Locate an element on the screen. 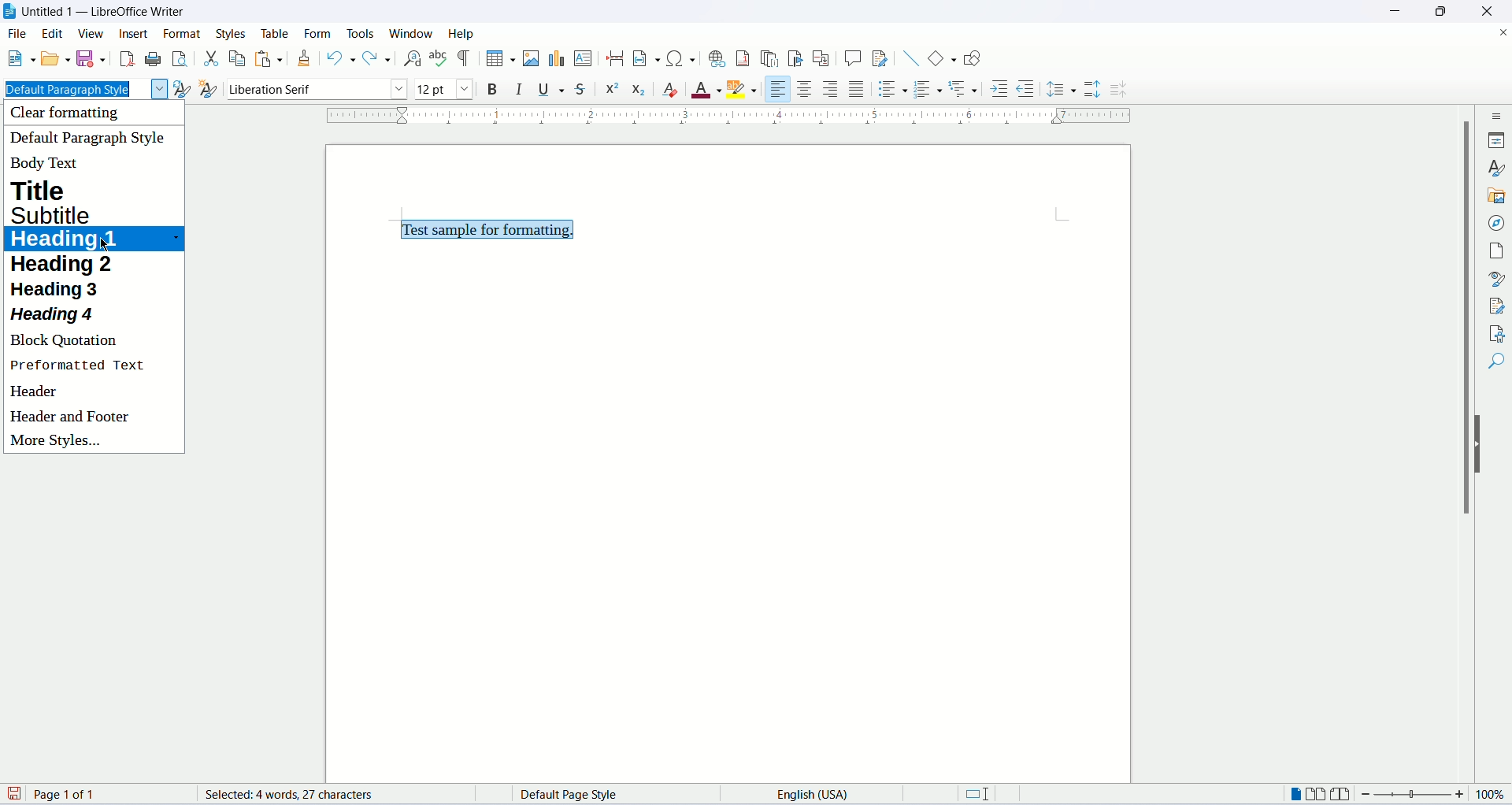 The width and height of the screenshot is (1512, 805). mark formatting is located at coordinates (465, 58).